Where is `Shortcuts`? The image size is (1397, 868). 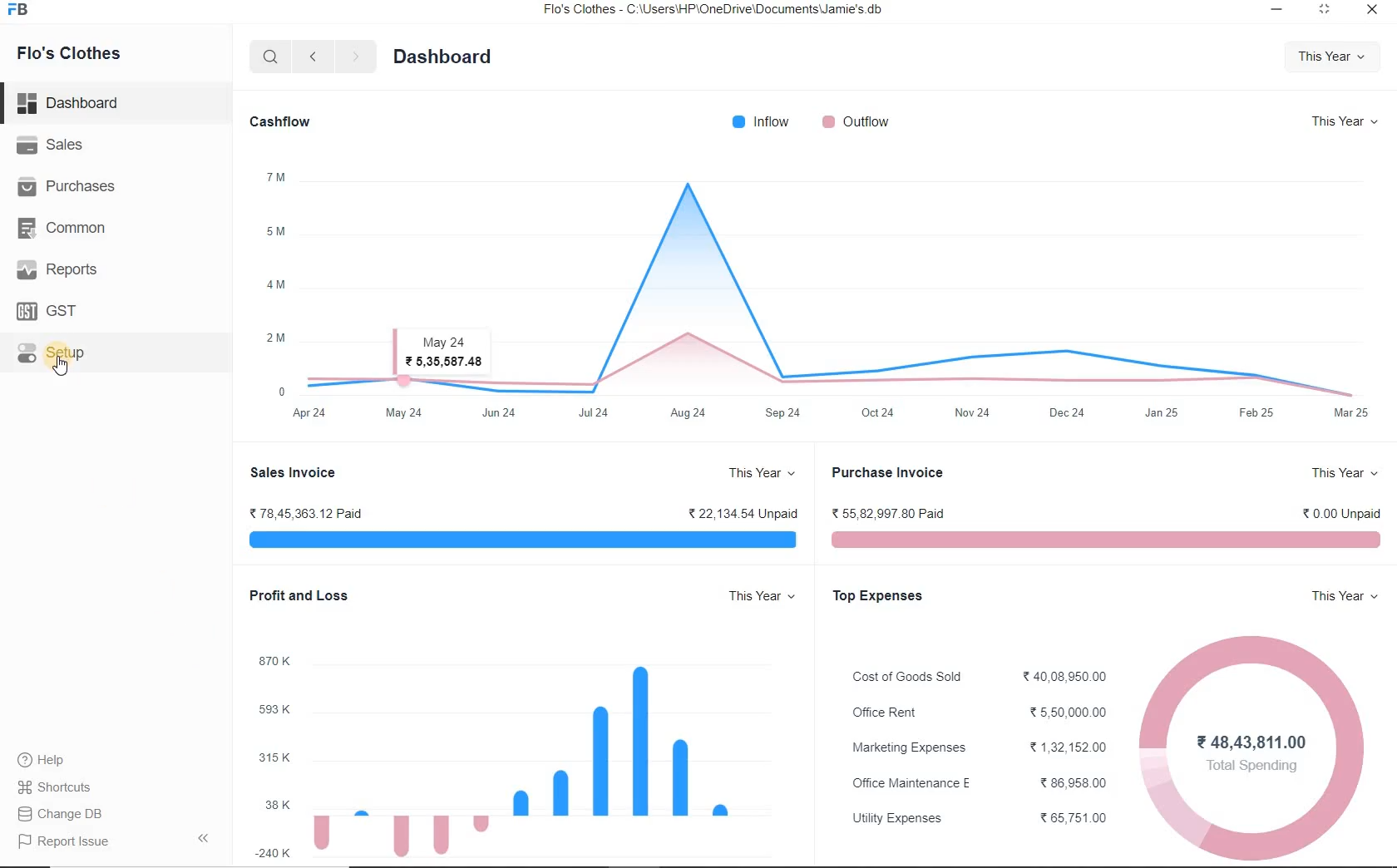
Shortcuts is located at coordinates (69, 787).